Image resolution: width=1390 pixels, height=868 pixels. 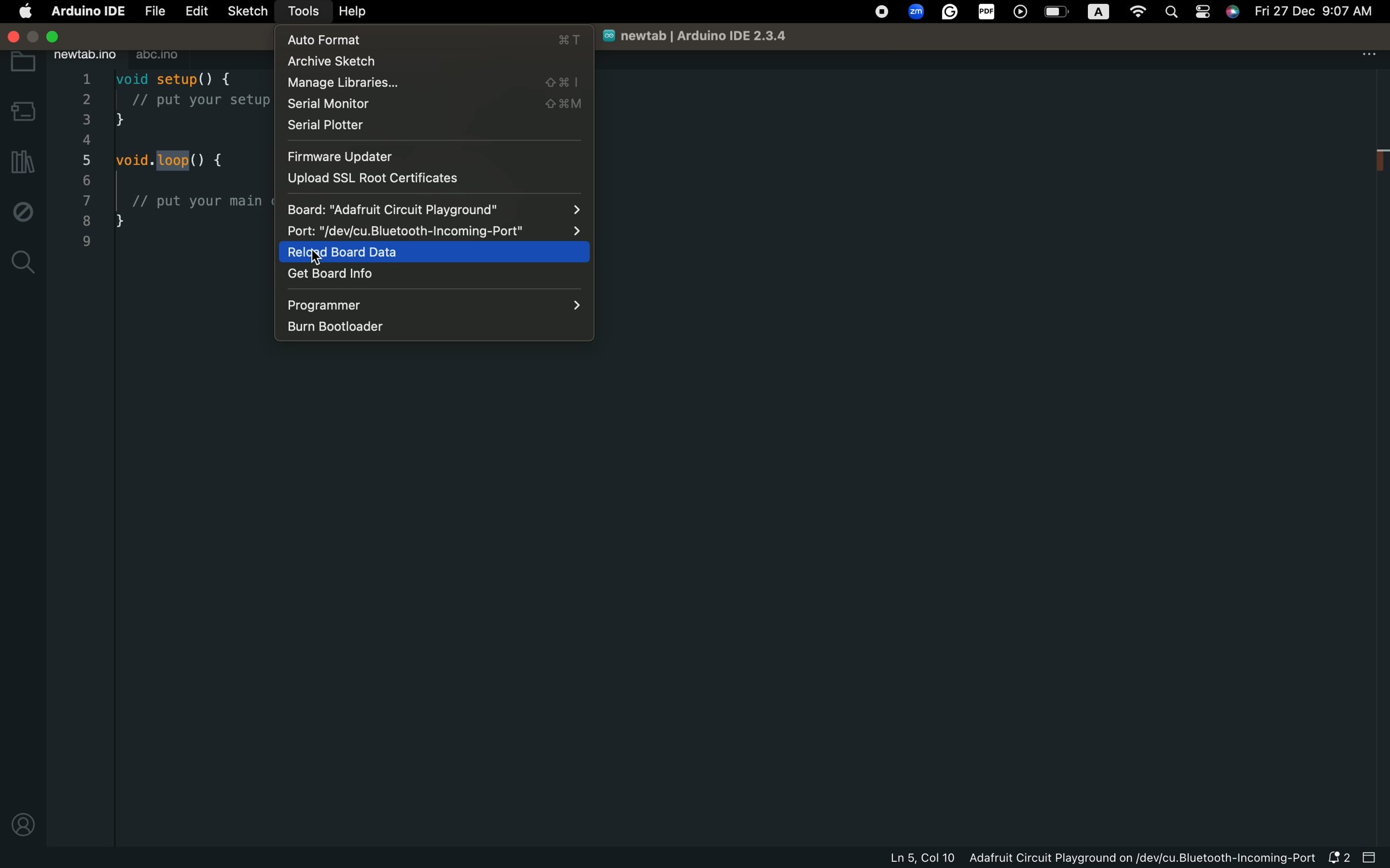 I want to click on get board info, so click(x=379, y=274).